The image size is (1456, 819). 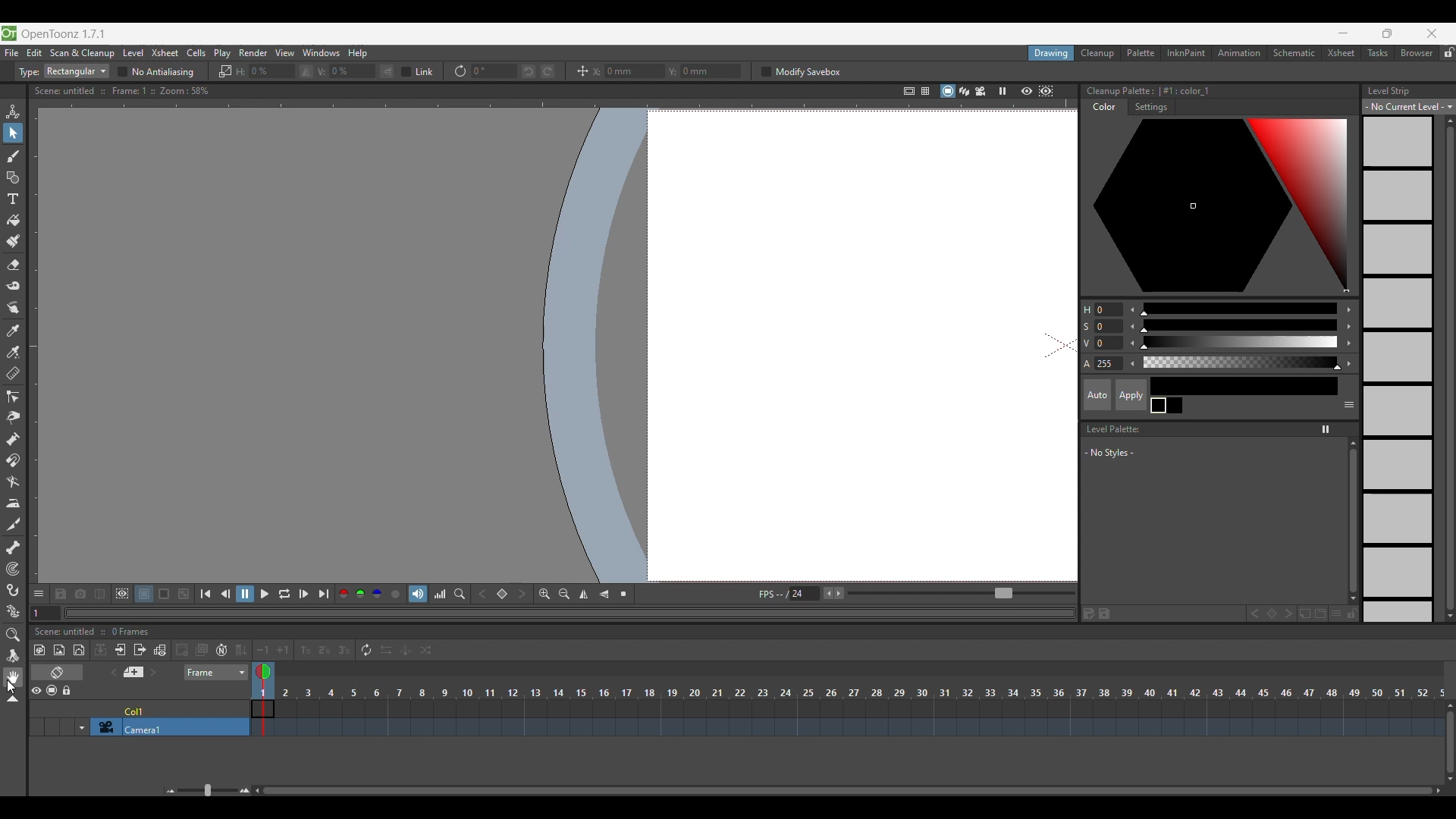 What do you see at coordinates (225, 71) in the screenshot?
I see `Scale` at bounding box center [225, 71].